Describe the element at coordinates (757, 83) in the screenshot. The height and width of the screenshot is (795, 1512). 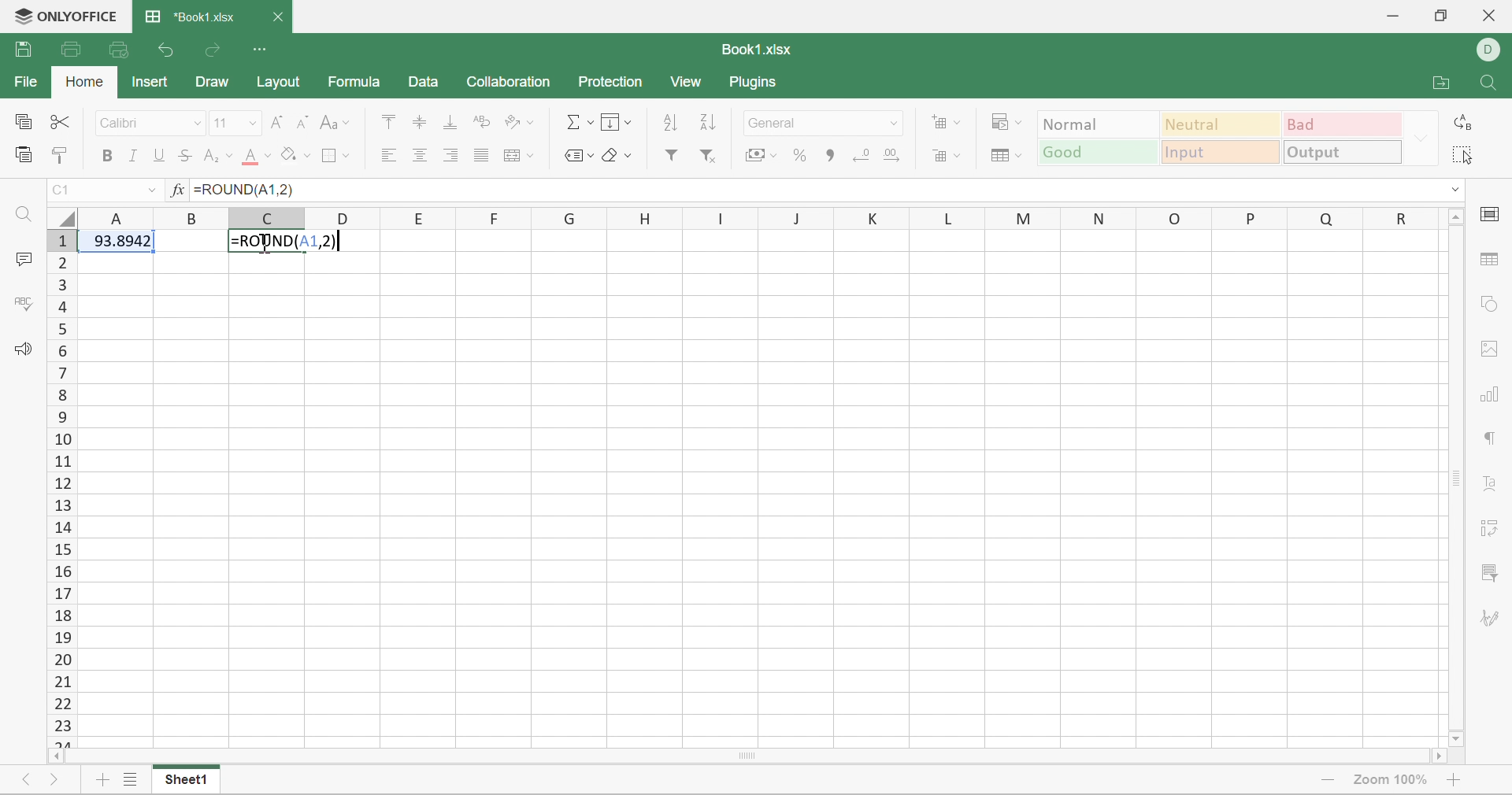
I see `Plugins` at that location.